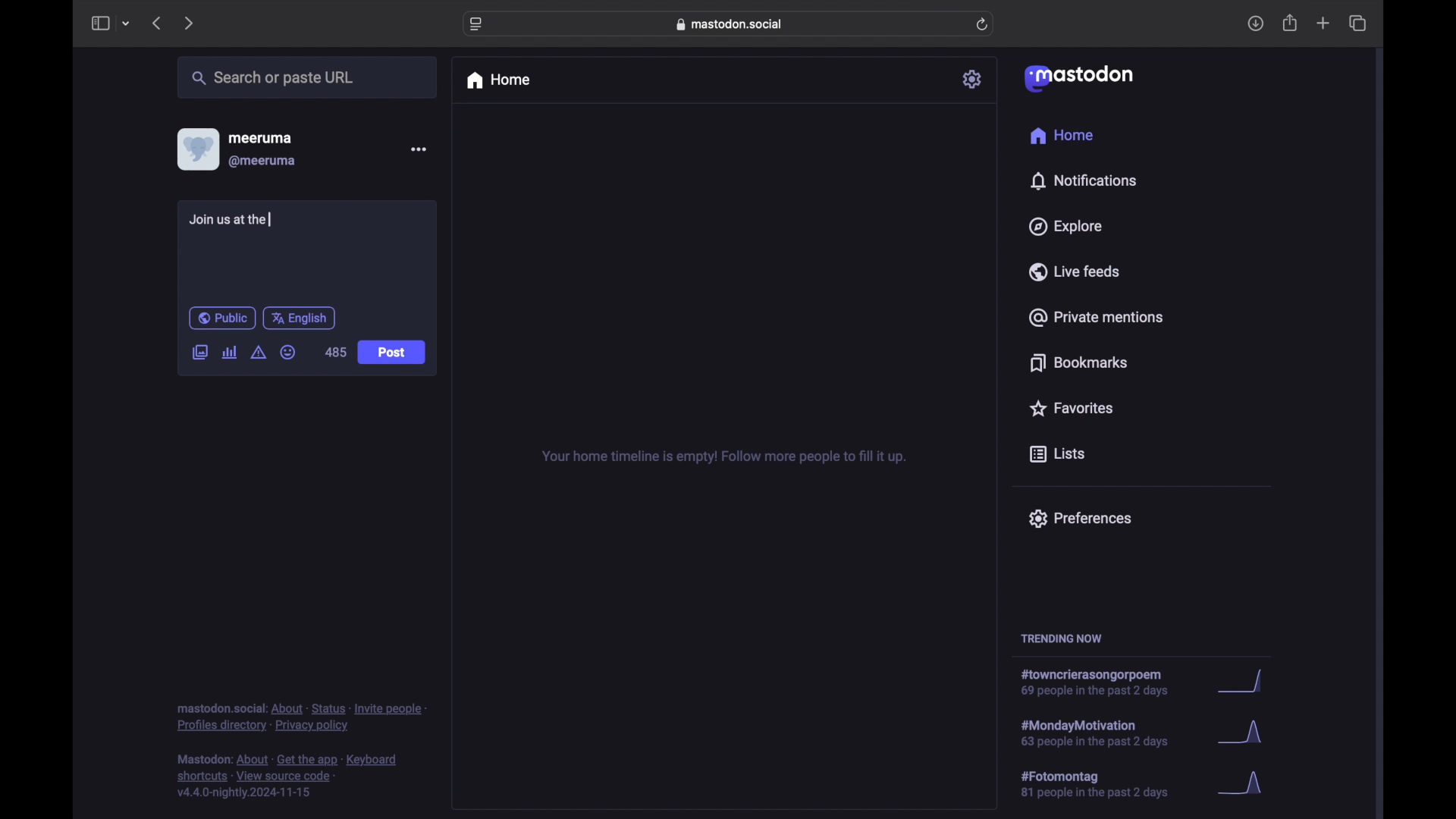 This screenshot has height=819, width=1456. I want to click on add  poll, so click(229, 352).